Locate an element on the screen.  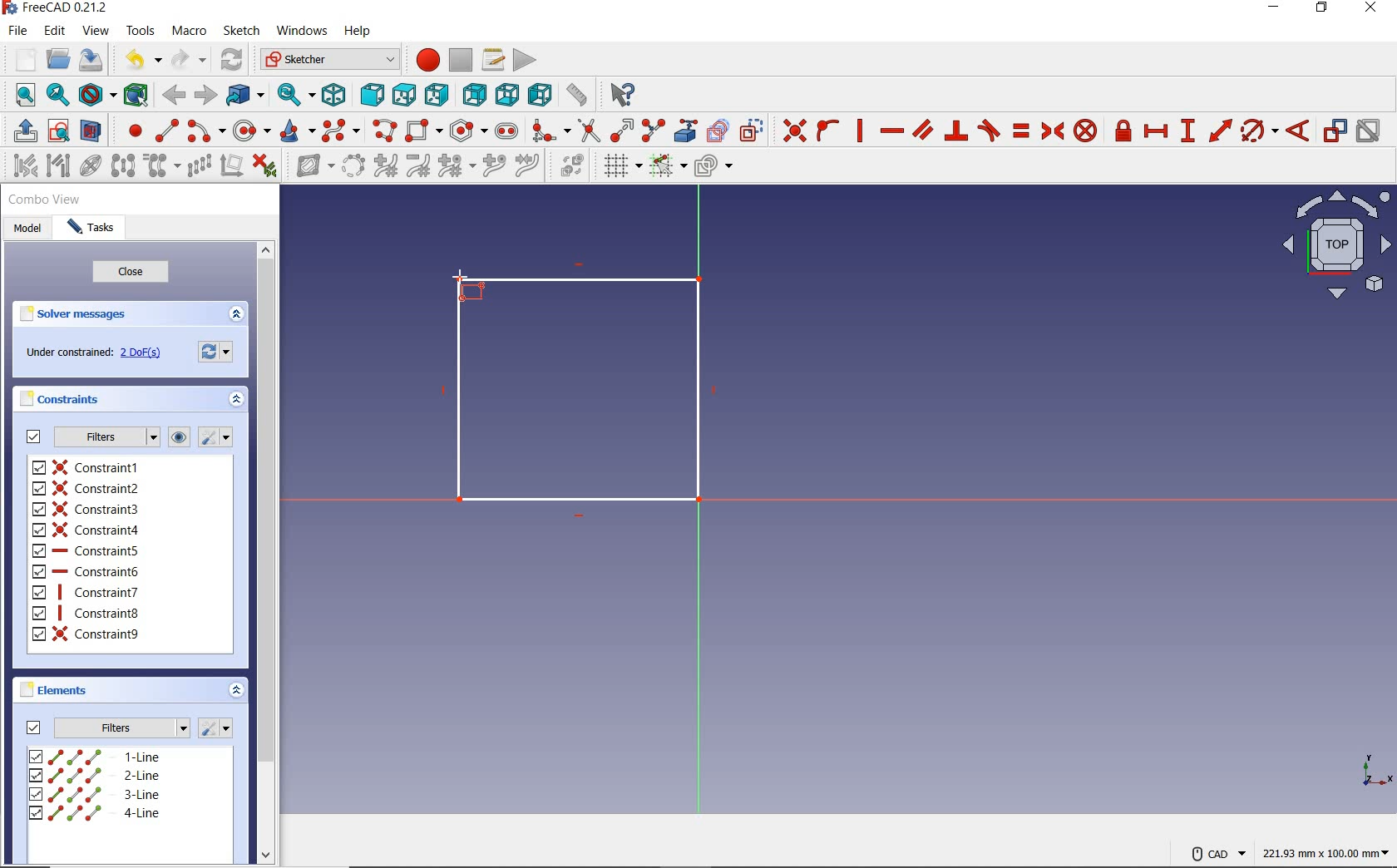
constrain perpendicular is located at coordinates (956, 131).